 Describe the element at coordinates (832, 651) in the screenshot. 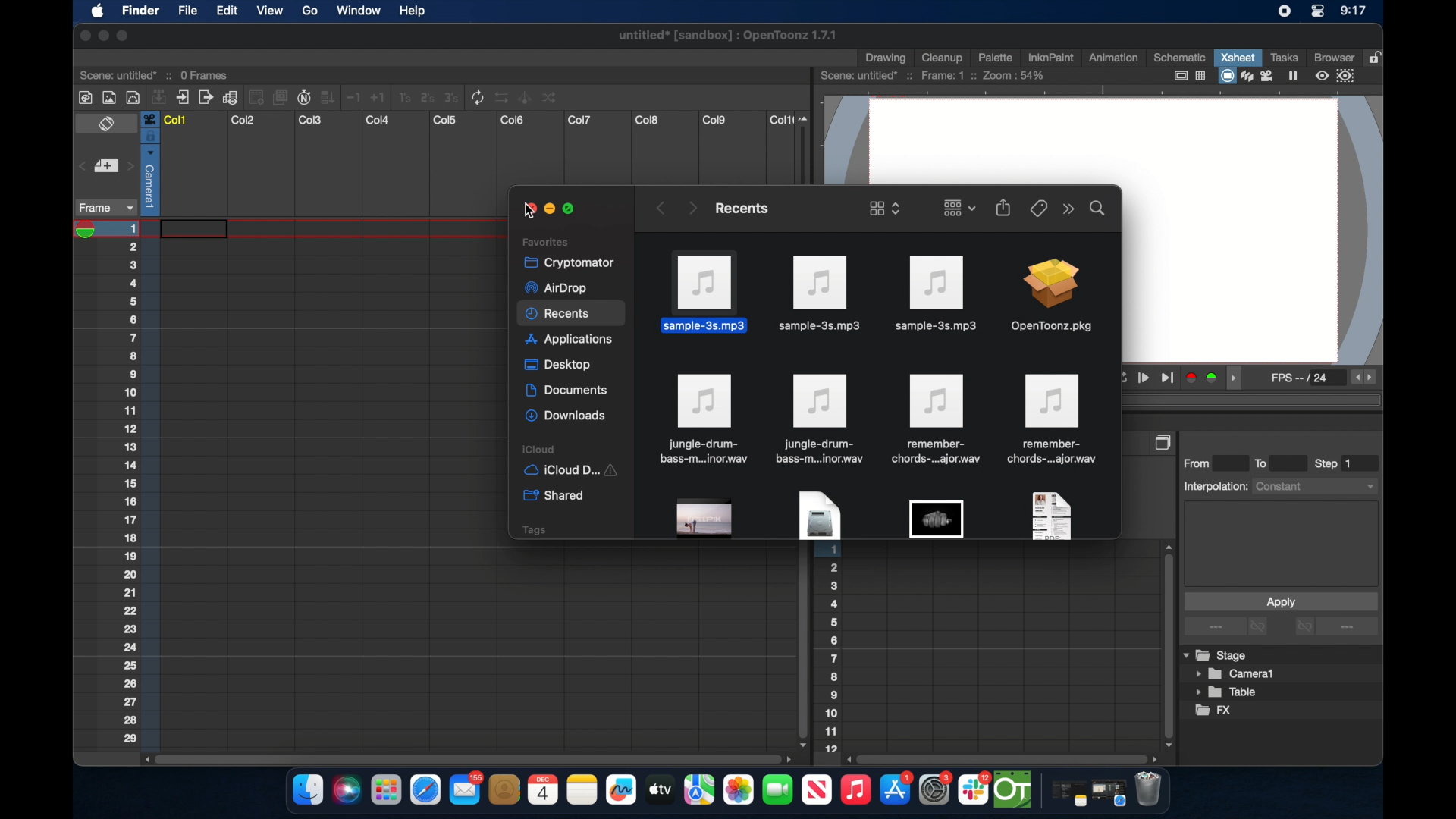

I see `numbering` at that location.